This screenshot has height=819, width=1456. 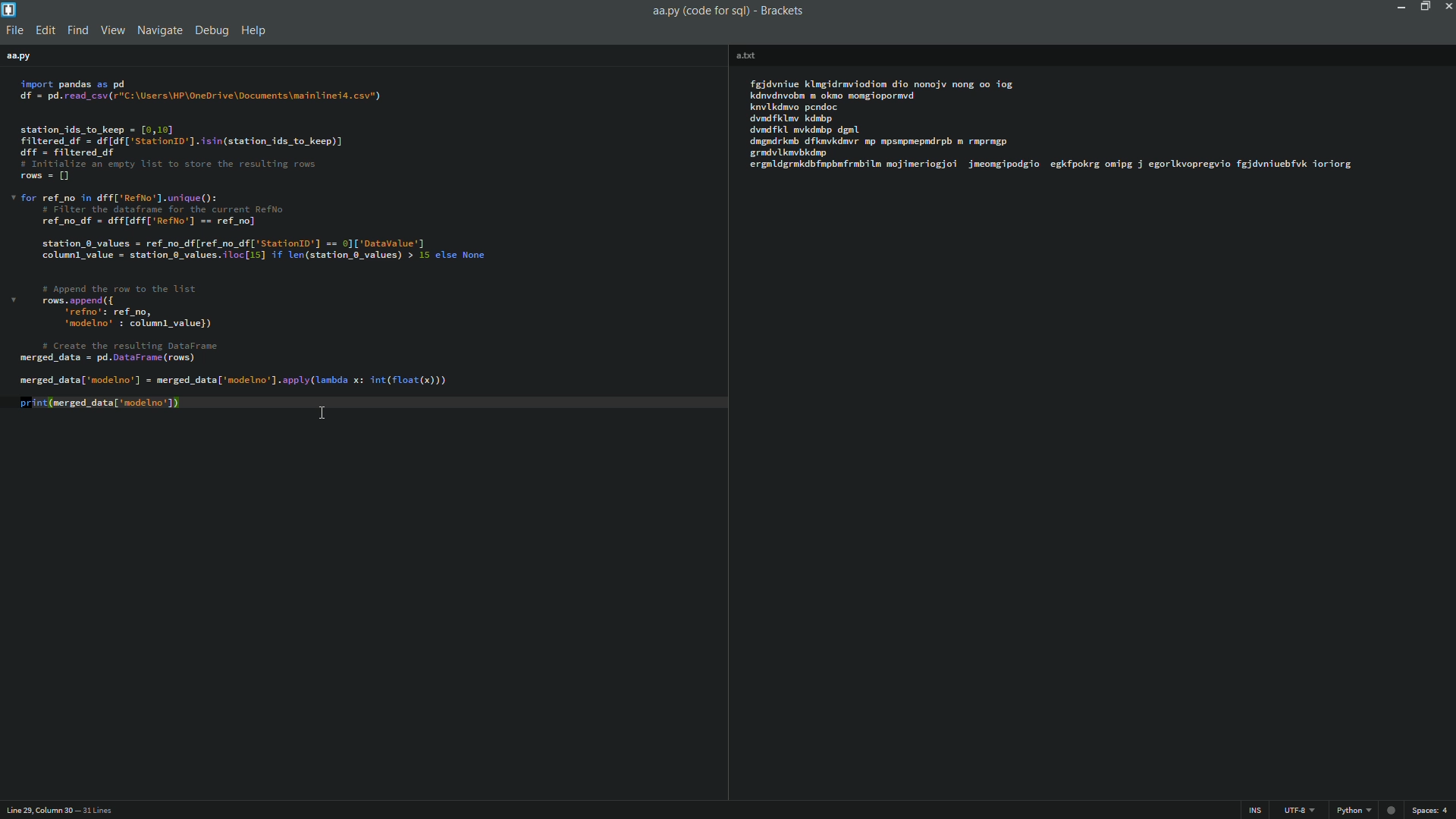 What do you see at coordinates (14, 31) in the screenshot?
I see `file menu` at bounding box center [14, 31].